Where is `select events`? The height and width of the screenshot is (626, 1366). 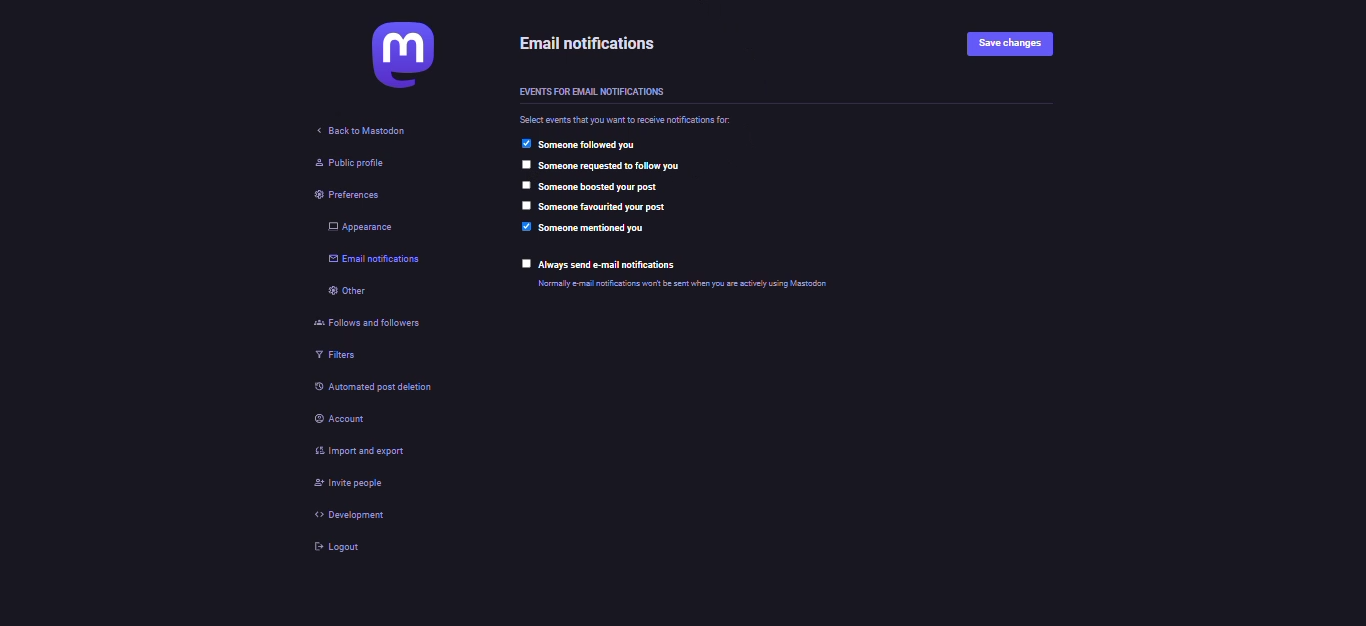 select events is located at coordinates (632, 119).